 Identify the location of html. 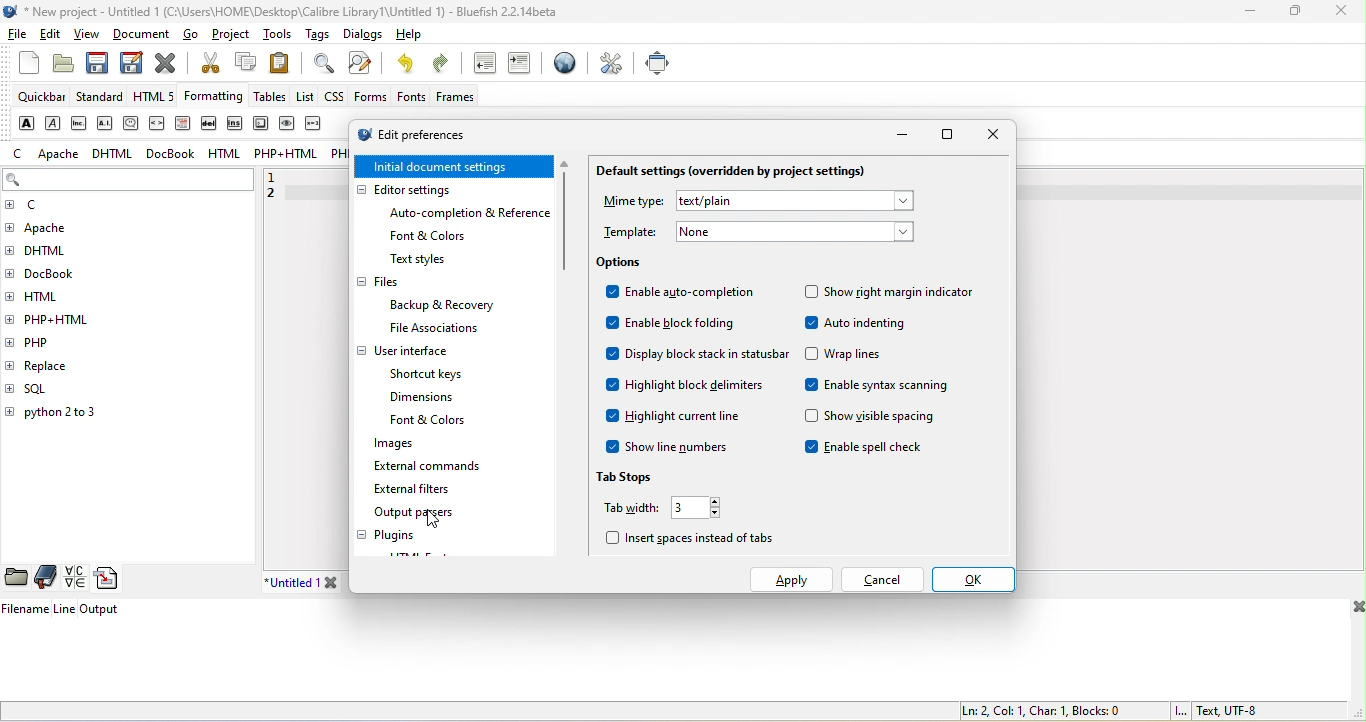
(51, 294).